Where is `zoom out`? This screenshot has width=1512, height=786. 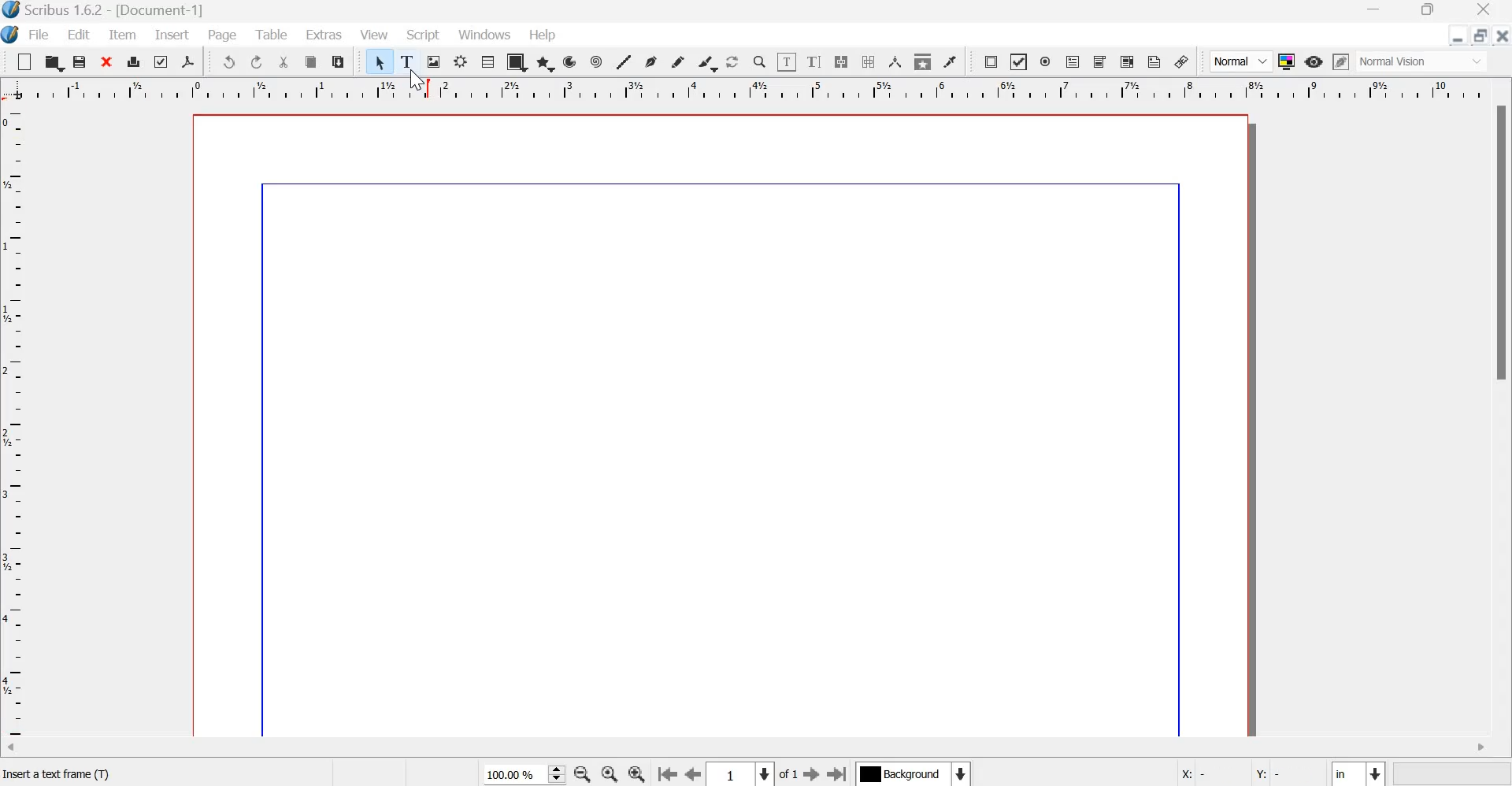 zoom out is located at coordinates (582, 774).